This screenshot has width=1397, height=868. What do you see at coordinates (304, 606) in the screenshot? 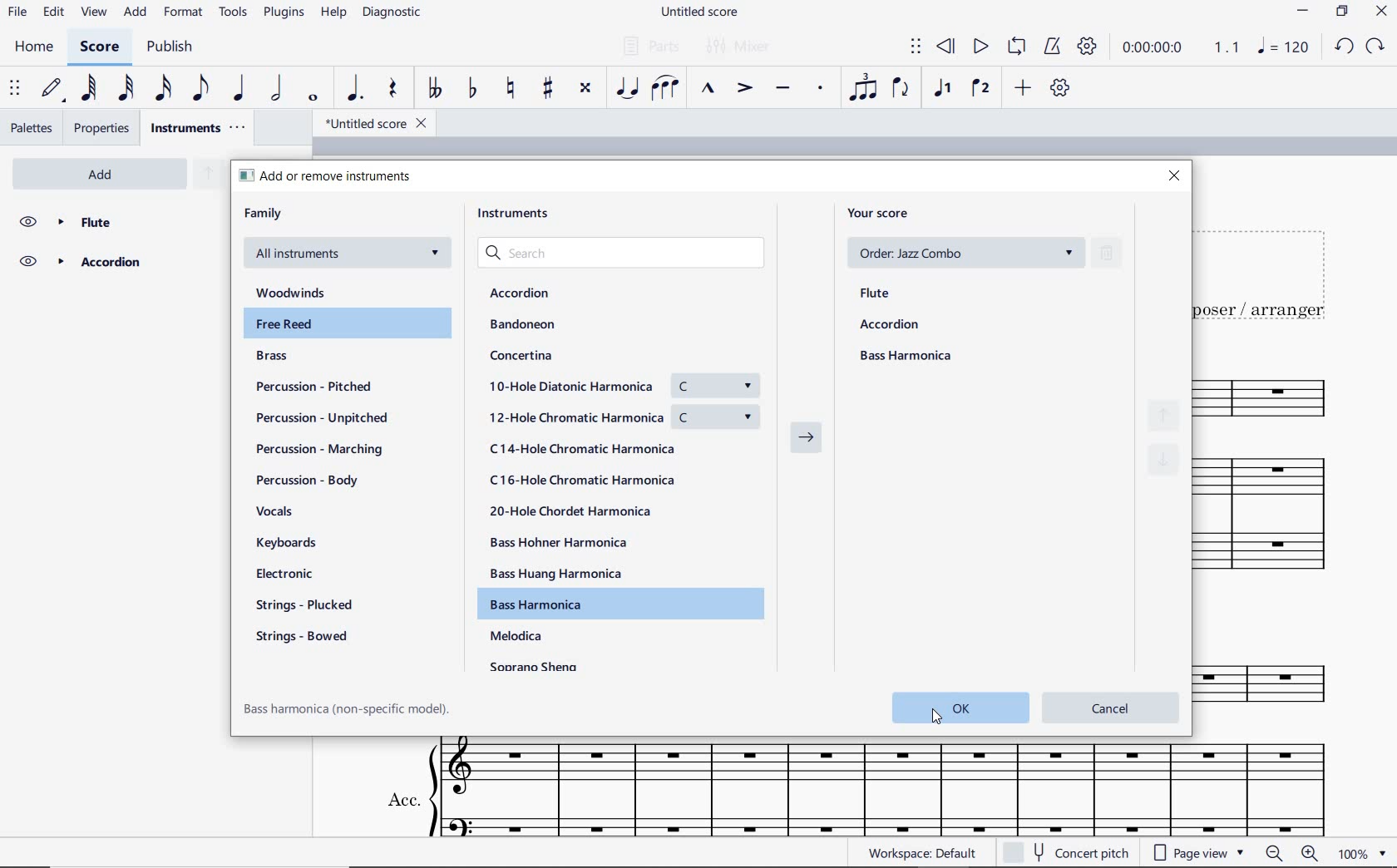
I see `strings - plucked` at bounding box center [304, 606].